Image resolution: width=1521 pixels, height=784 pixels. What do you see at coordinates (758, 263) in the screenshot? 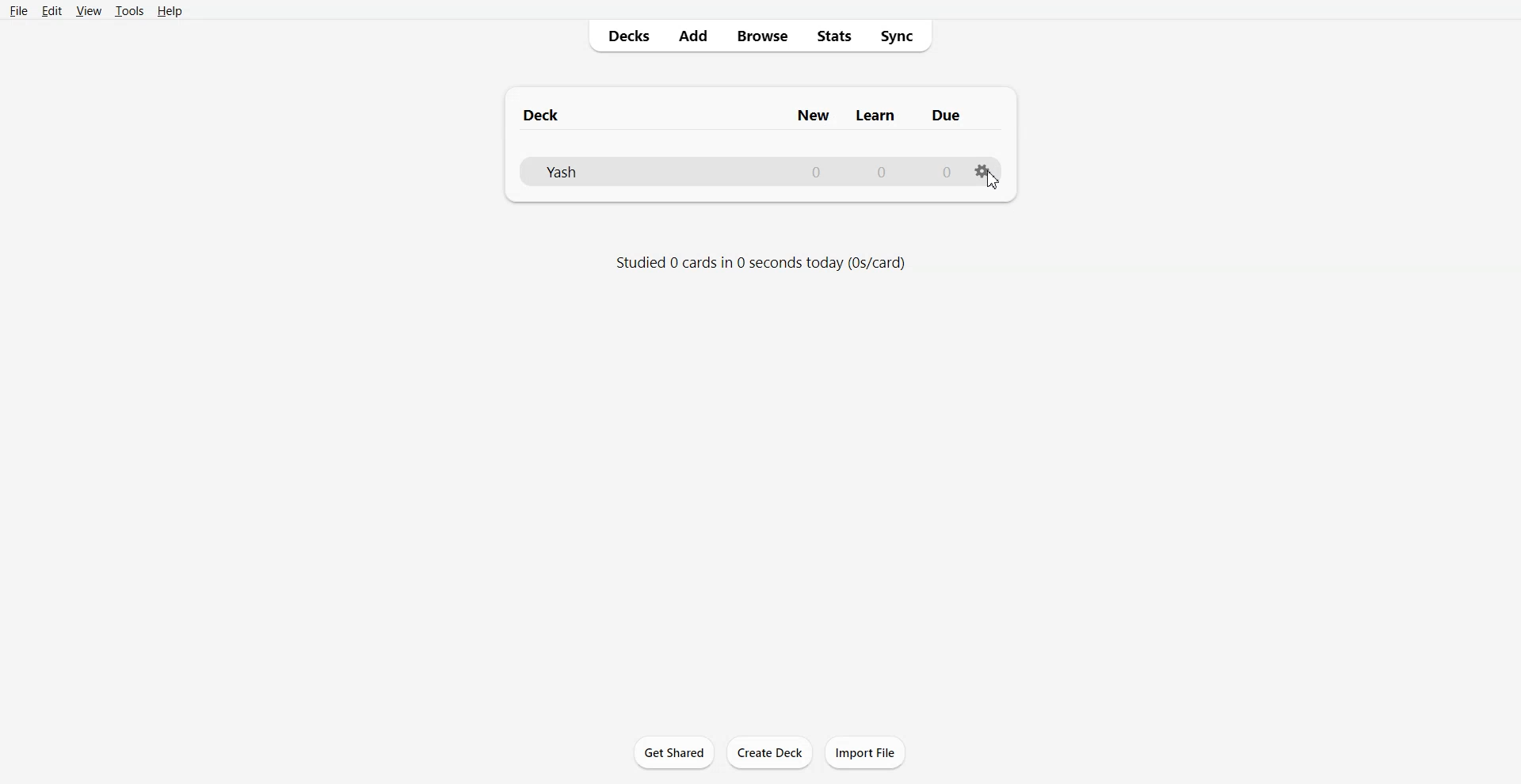
I see `Text 2` at bounding box center [758, 263].